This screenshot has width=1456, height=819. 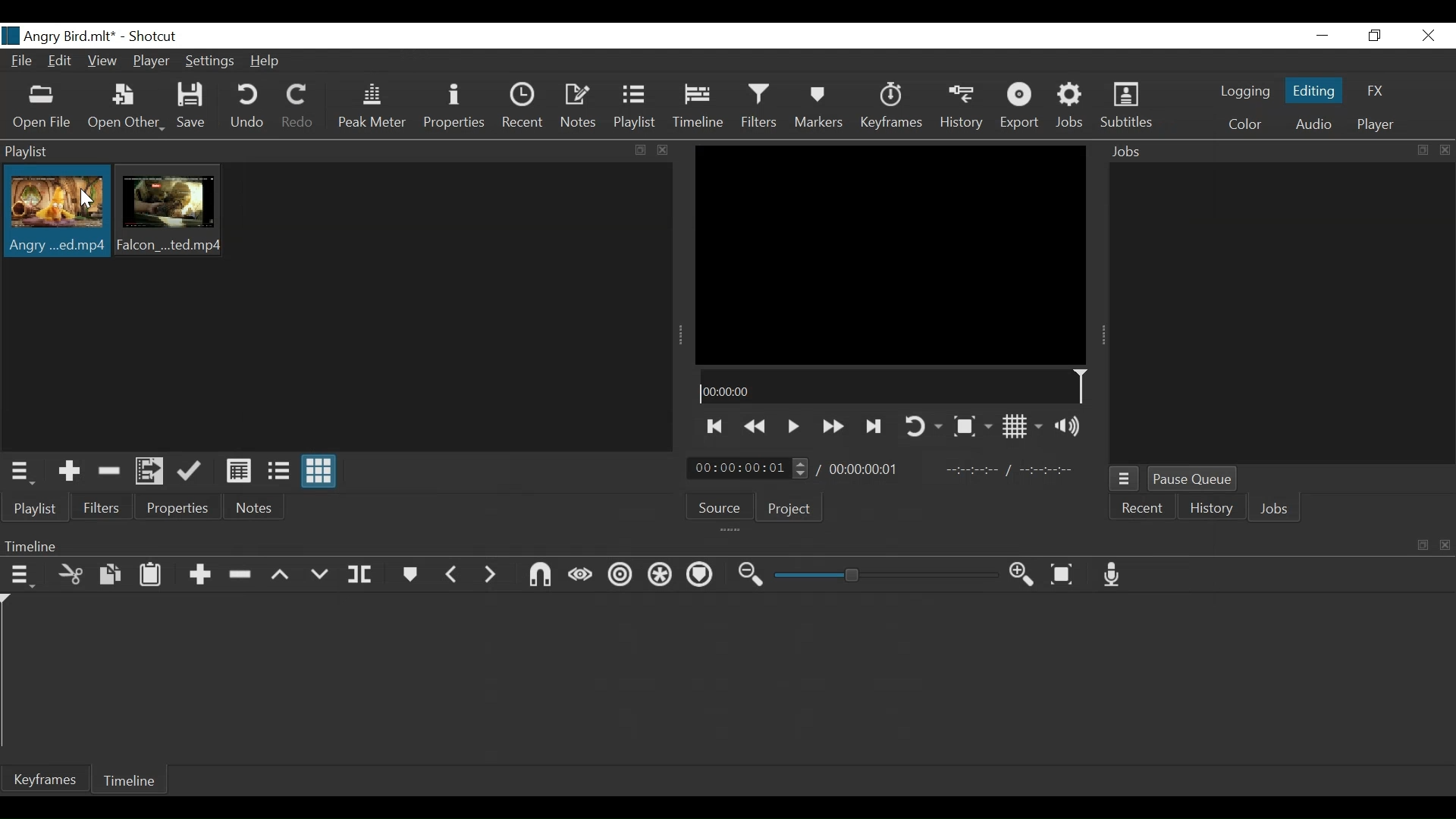 I want to click on Media Viewer, so click(x=890, y=255).